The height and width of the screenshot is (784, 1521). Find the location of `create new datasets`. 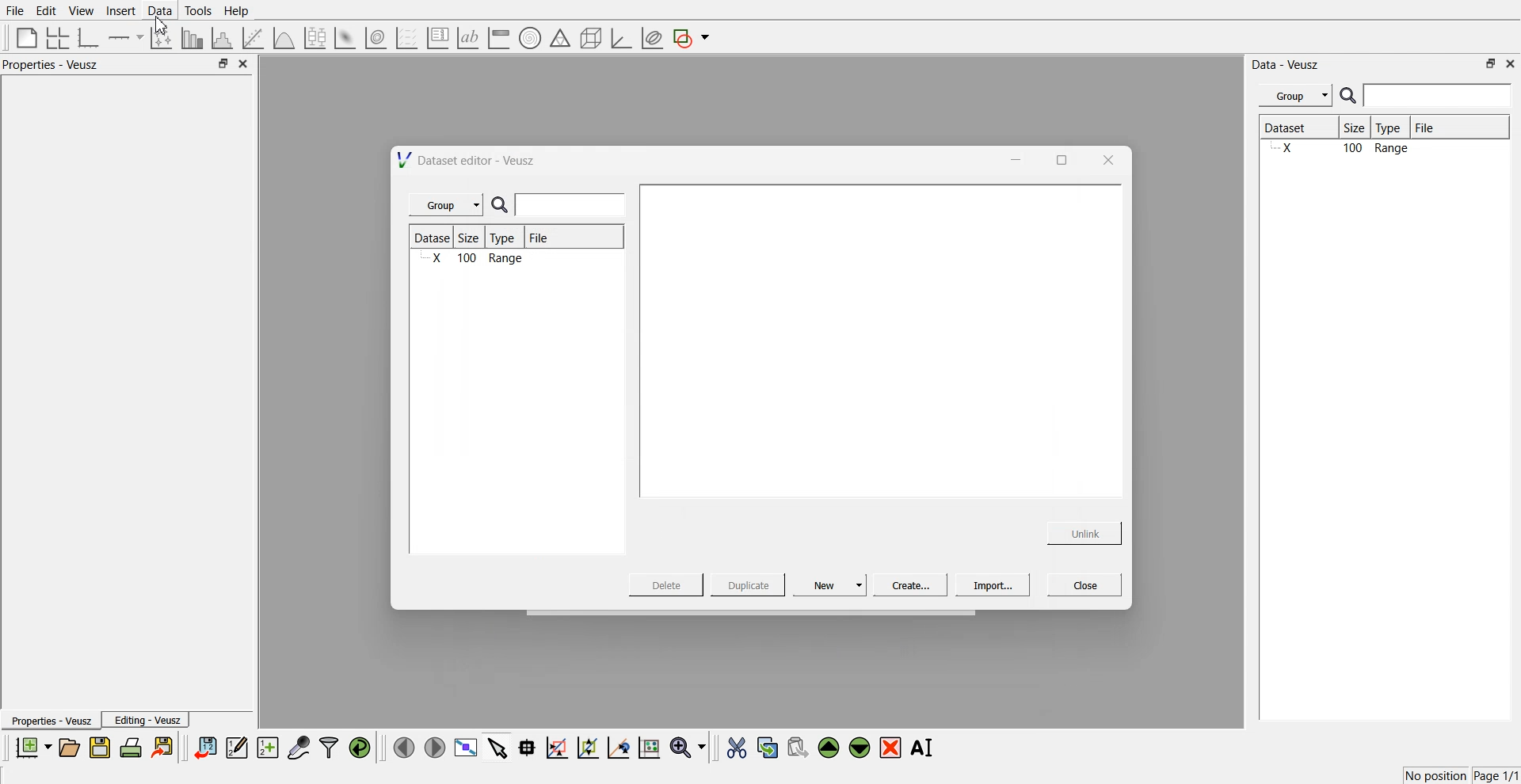

create new datasets is located at coordinates (268, 748).